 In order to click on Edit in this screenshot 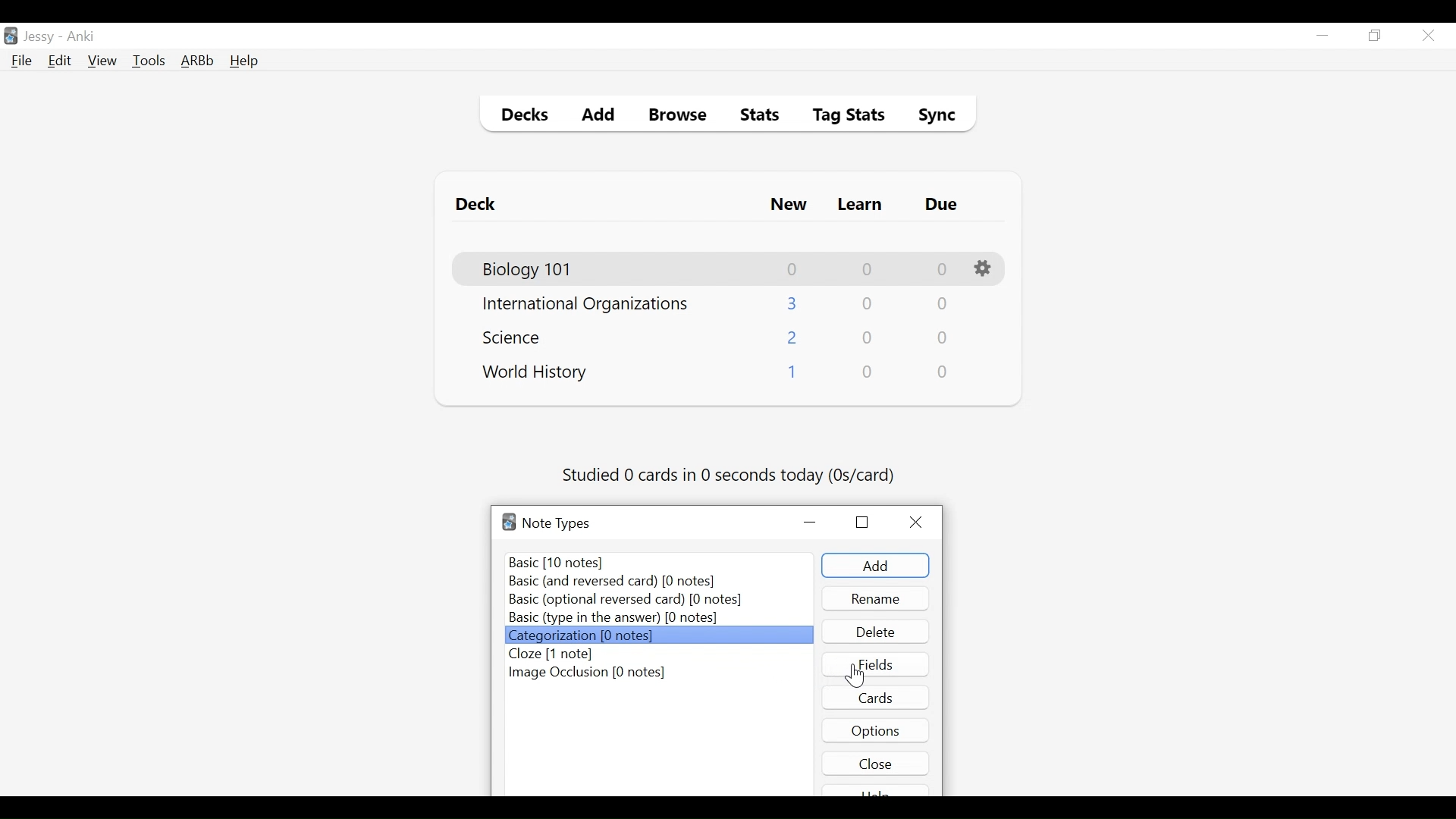, I will do `click(58, 62)`.